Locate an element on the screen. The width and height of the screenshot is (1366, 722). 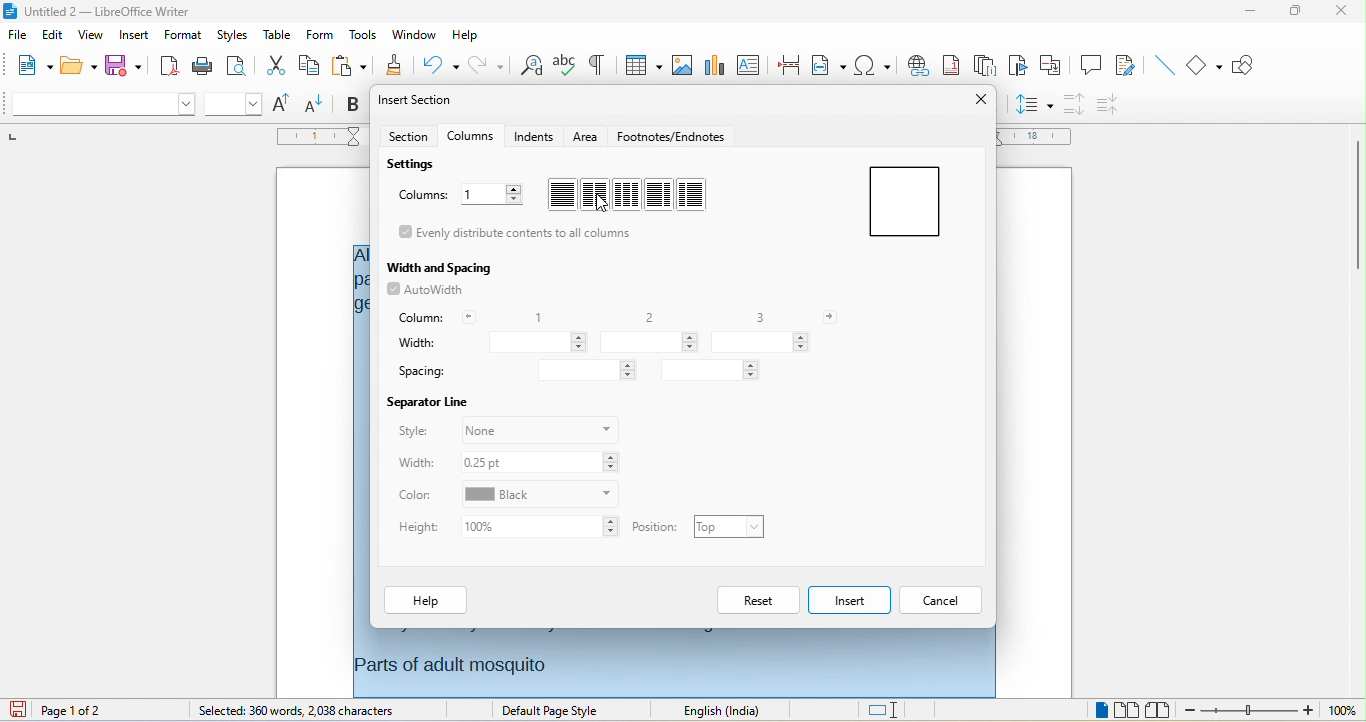
decrease size is located at coordinates (315, 103).